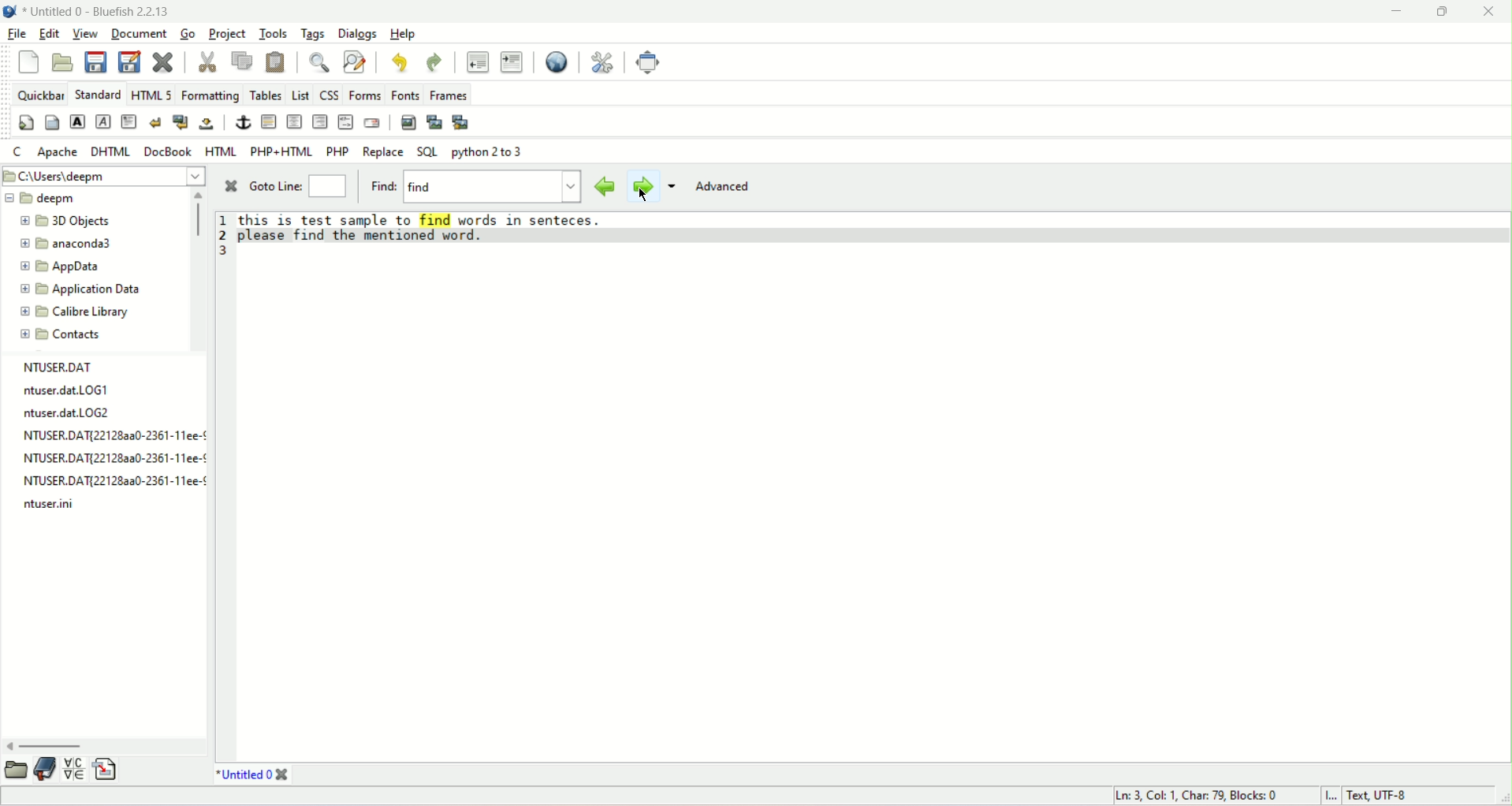 The image size is (1512, 806). What do you see at coordinates (267, 121) in the screenshot?
I see `horizontal rule` at bounding box center [267, 121].